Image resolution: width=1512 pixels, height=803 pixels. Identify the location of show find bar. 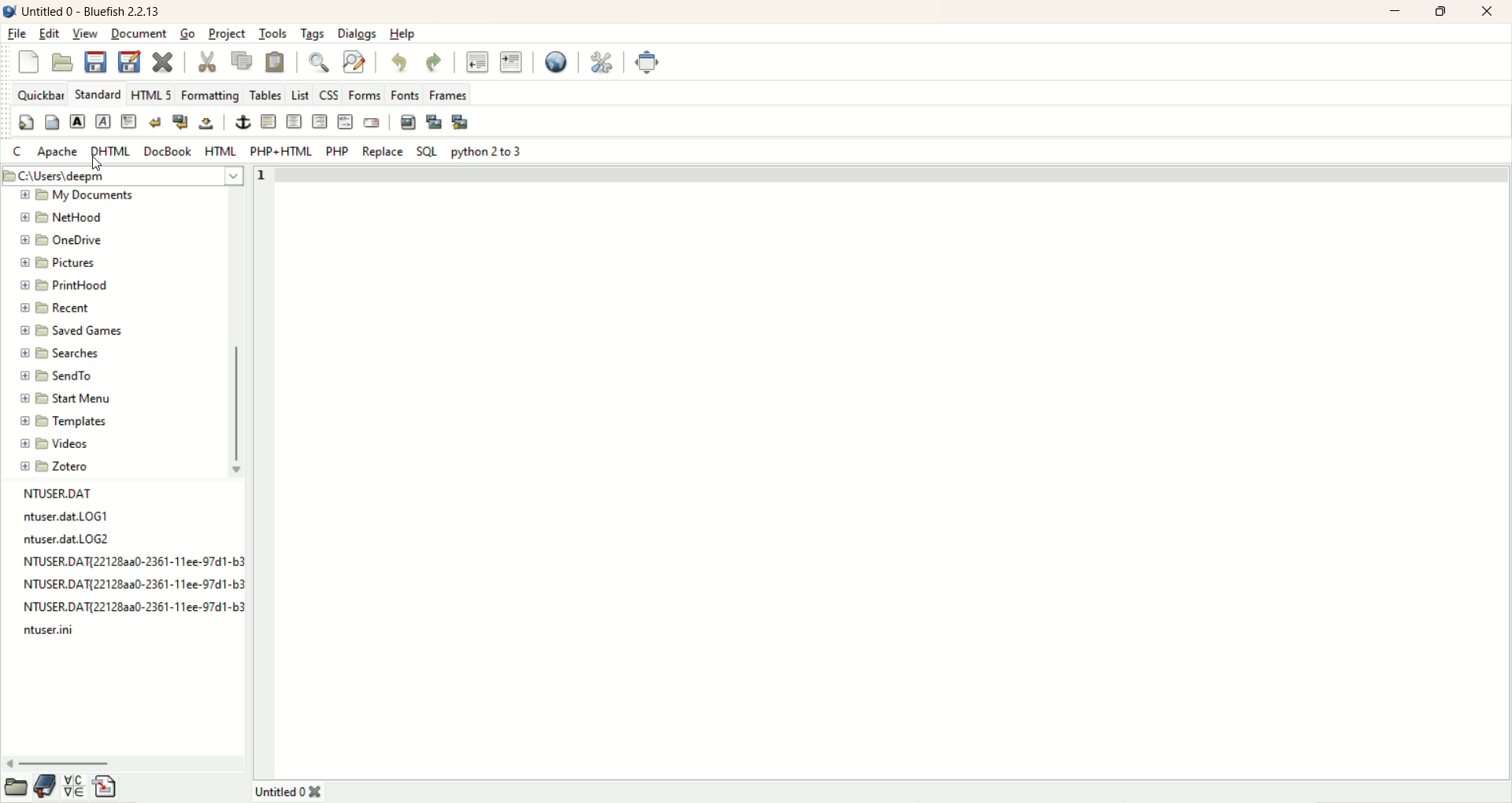
(319, 62).